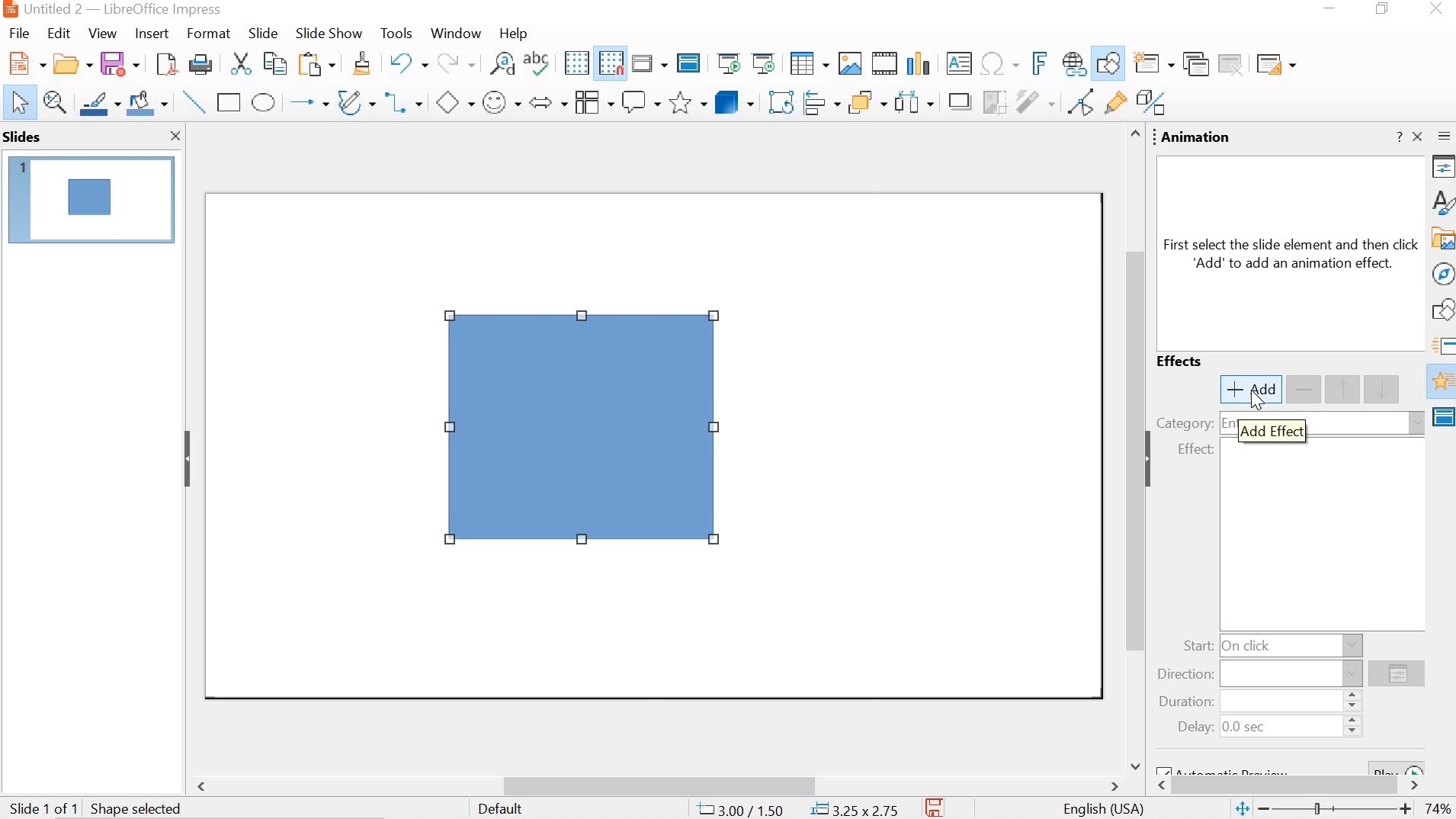 The image size is (1456, 819). Describe the element at coordinates (91, 199) in the screenshot. I see `slide 1` at that location.